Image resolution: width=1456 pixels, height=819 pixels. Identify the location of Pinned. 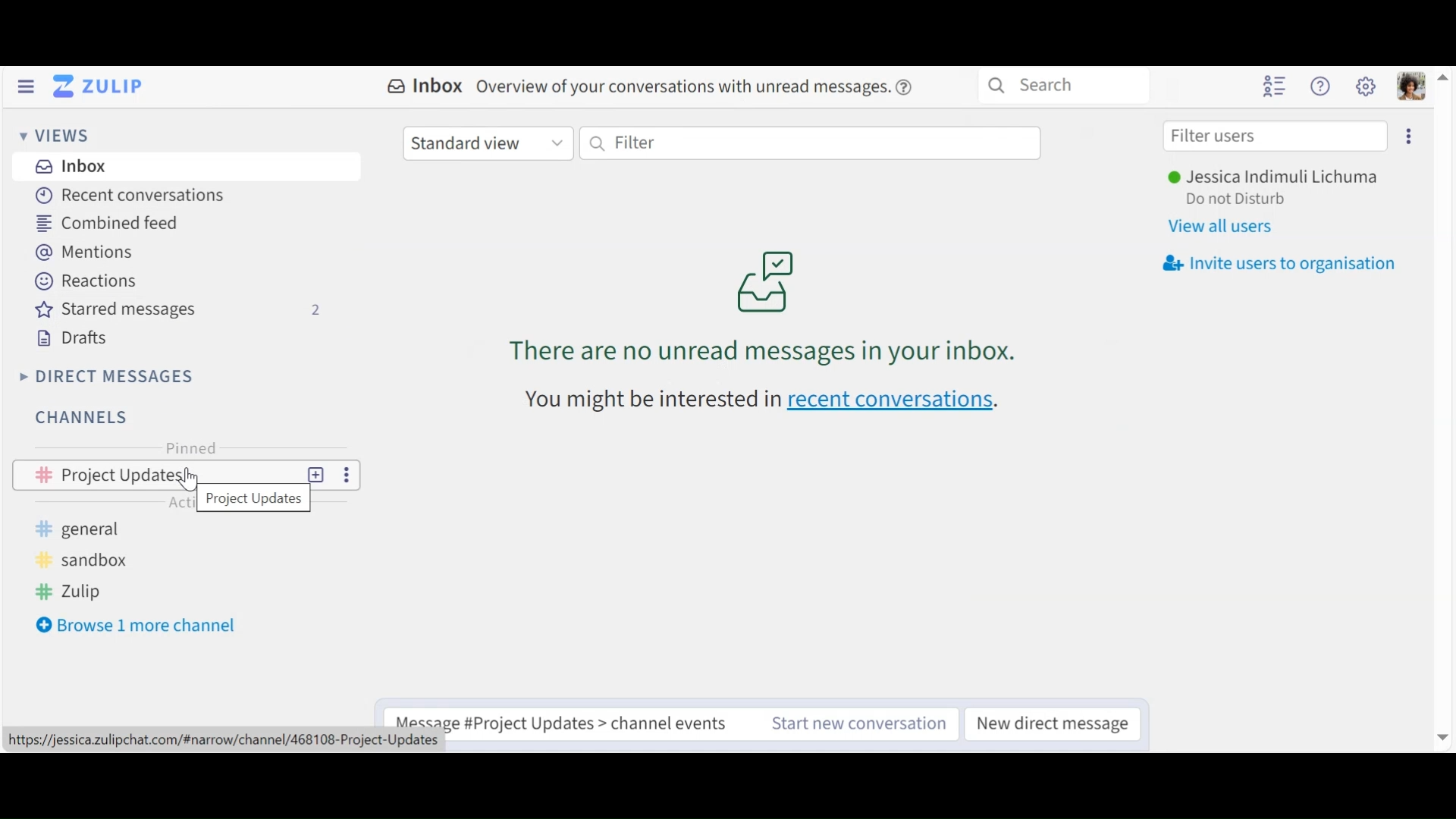
(193, 447).